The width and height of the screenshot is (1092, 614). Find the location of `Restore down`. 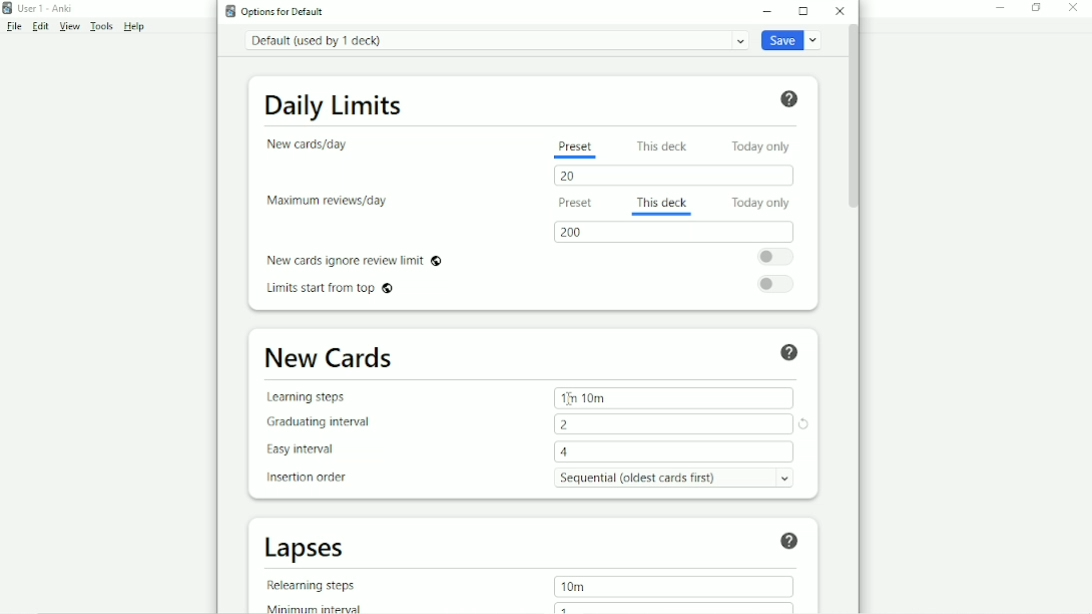

Restore down is located at coordinates (1036, 8).